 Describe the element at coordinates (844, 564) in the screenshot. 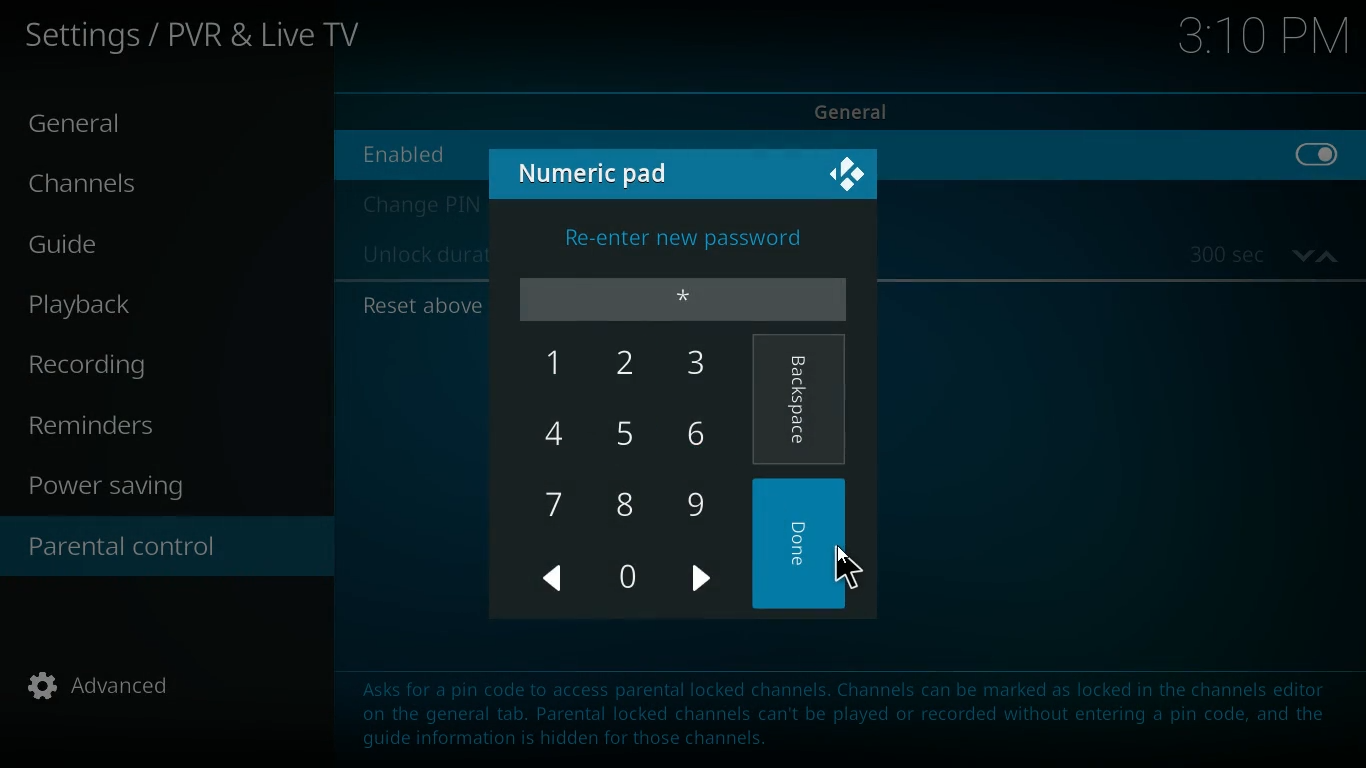

I see `cursor` at that location.